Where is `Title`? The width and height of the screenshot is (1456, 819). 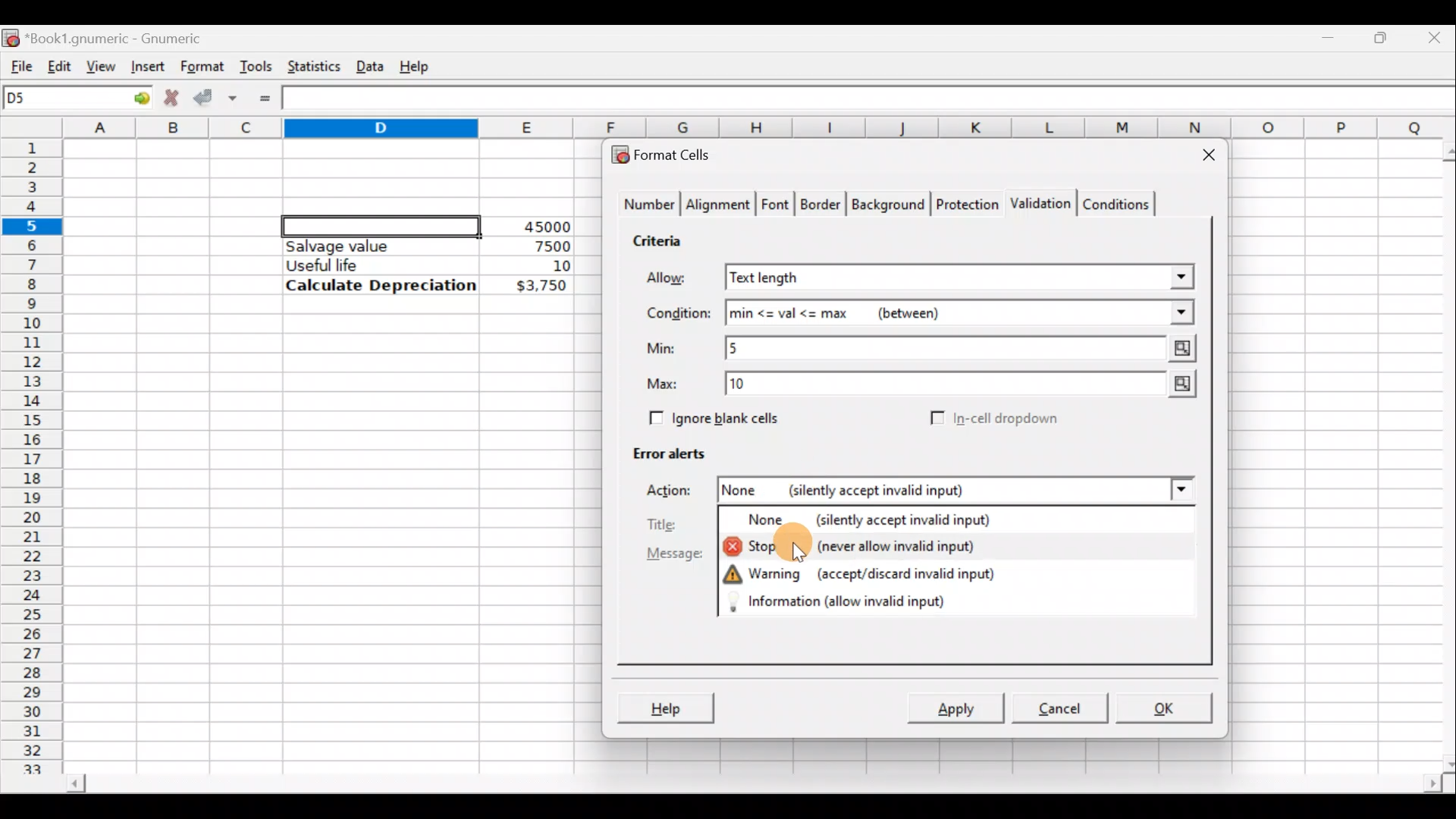 Title is located at coordinates (659, 521).